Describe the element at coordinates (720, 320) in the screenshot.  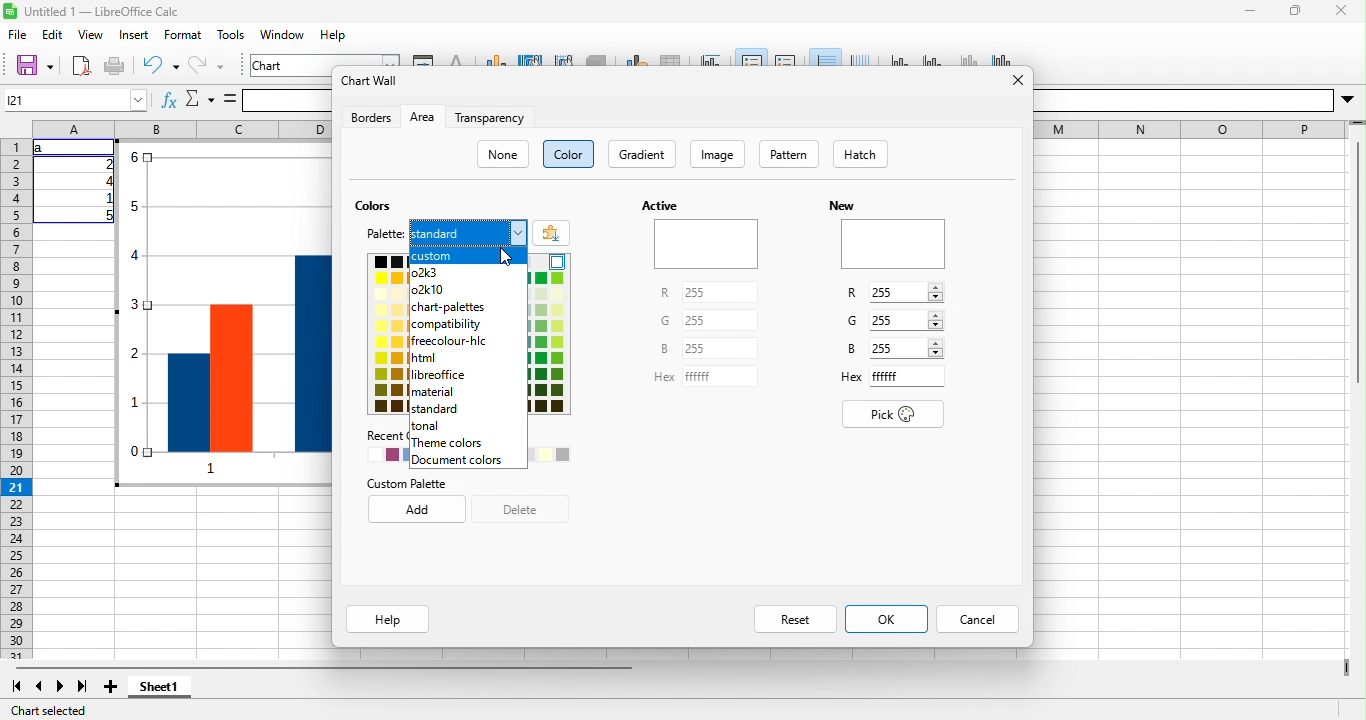
I see `Input for G` at that location.